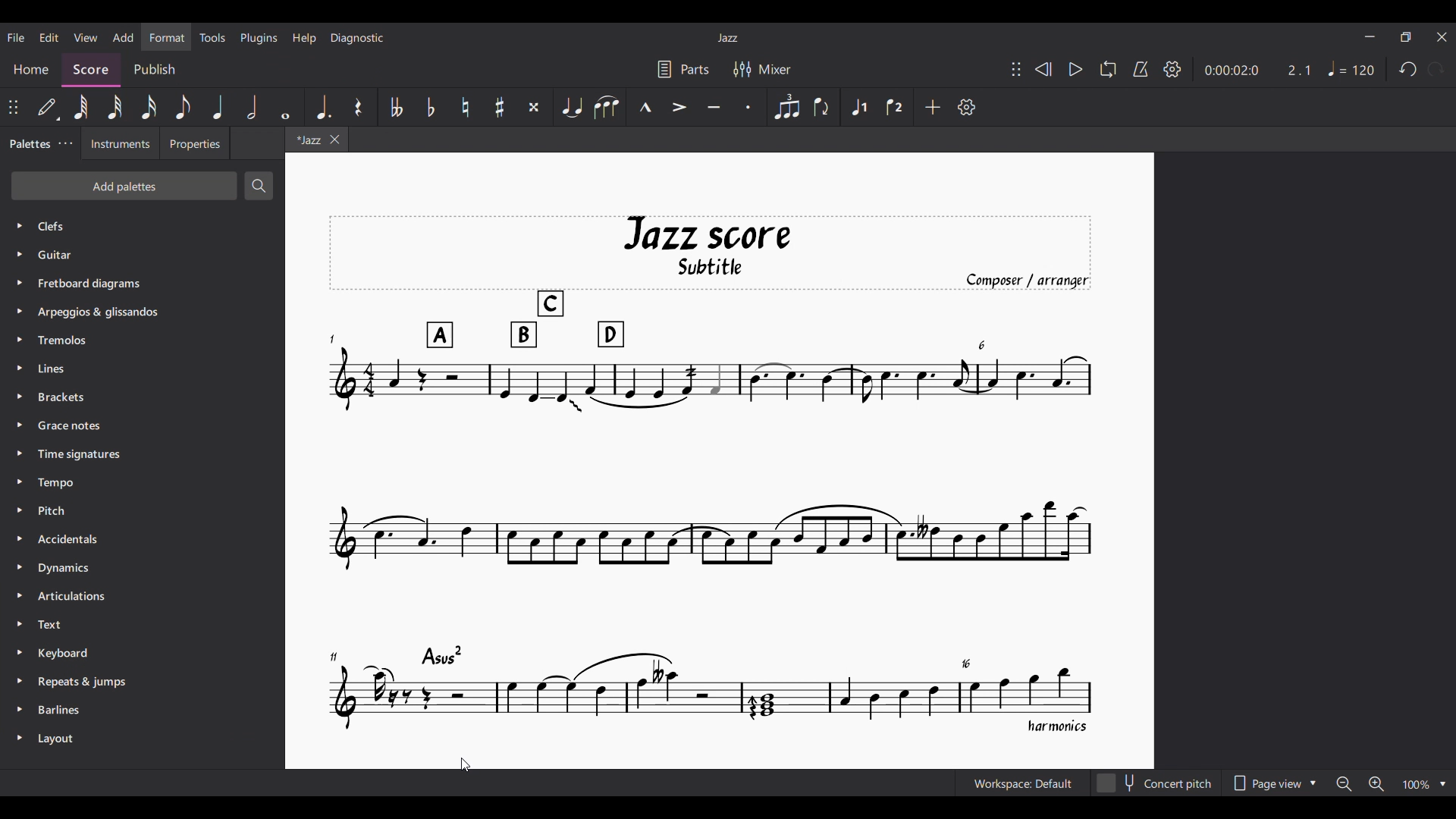  What do you see at coordinates (645, 107) in the screenshot?
I see `Marcato` at bounding box center [645, 107].